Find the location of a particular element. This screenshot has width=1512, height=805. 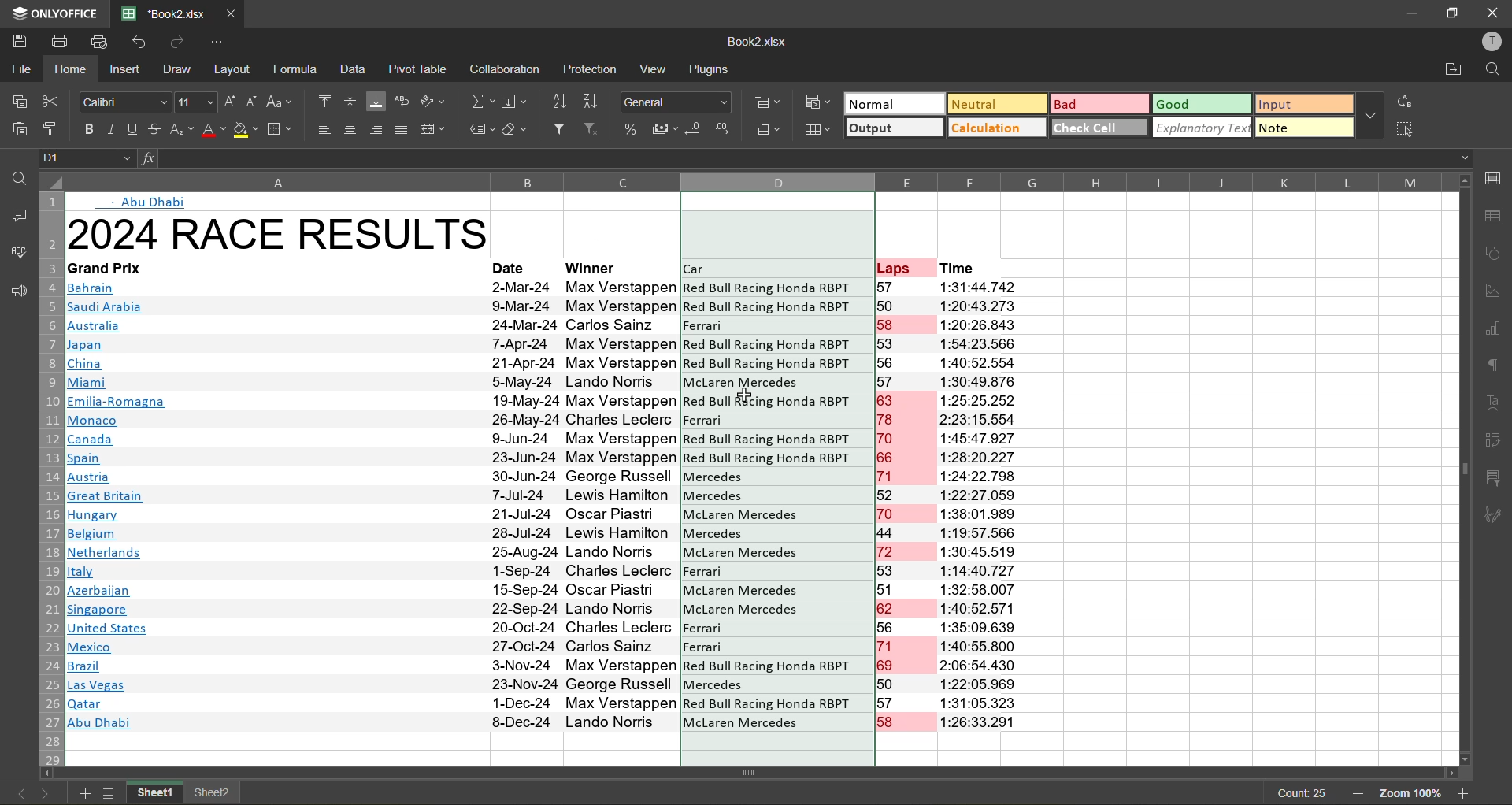

Emilia-Romagna 19-May-24 Max Verstappen Red Bull Racing Honda RBPT 63 1:25:25.252 is located at coordinates (545, 400).